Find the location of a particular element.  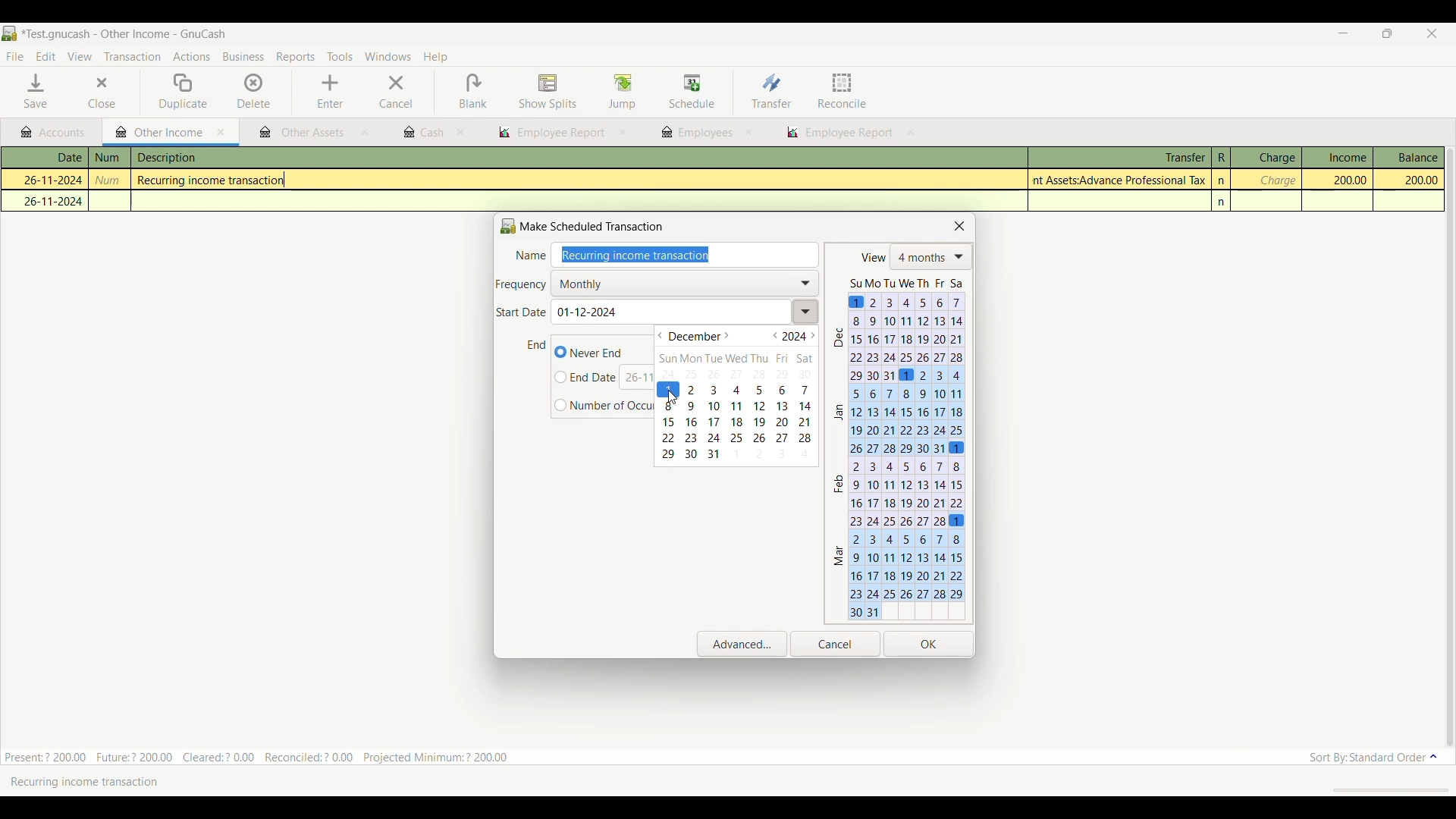

Tools menu is located at coordinates (340, 58).